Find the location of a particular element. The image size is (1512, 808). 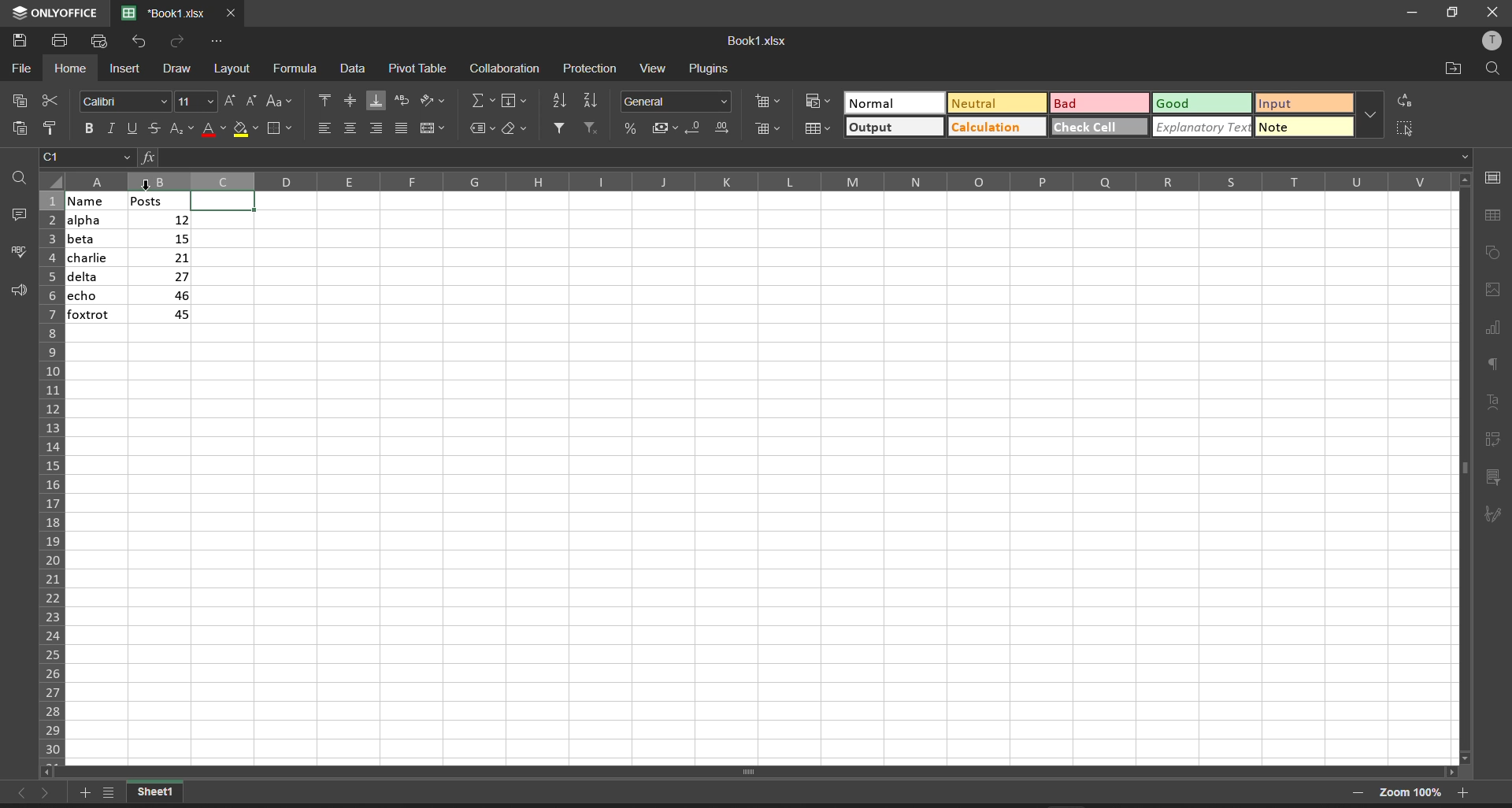

slicer settings is located at coordinates (1496, 474).